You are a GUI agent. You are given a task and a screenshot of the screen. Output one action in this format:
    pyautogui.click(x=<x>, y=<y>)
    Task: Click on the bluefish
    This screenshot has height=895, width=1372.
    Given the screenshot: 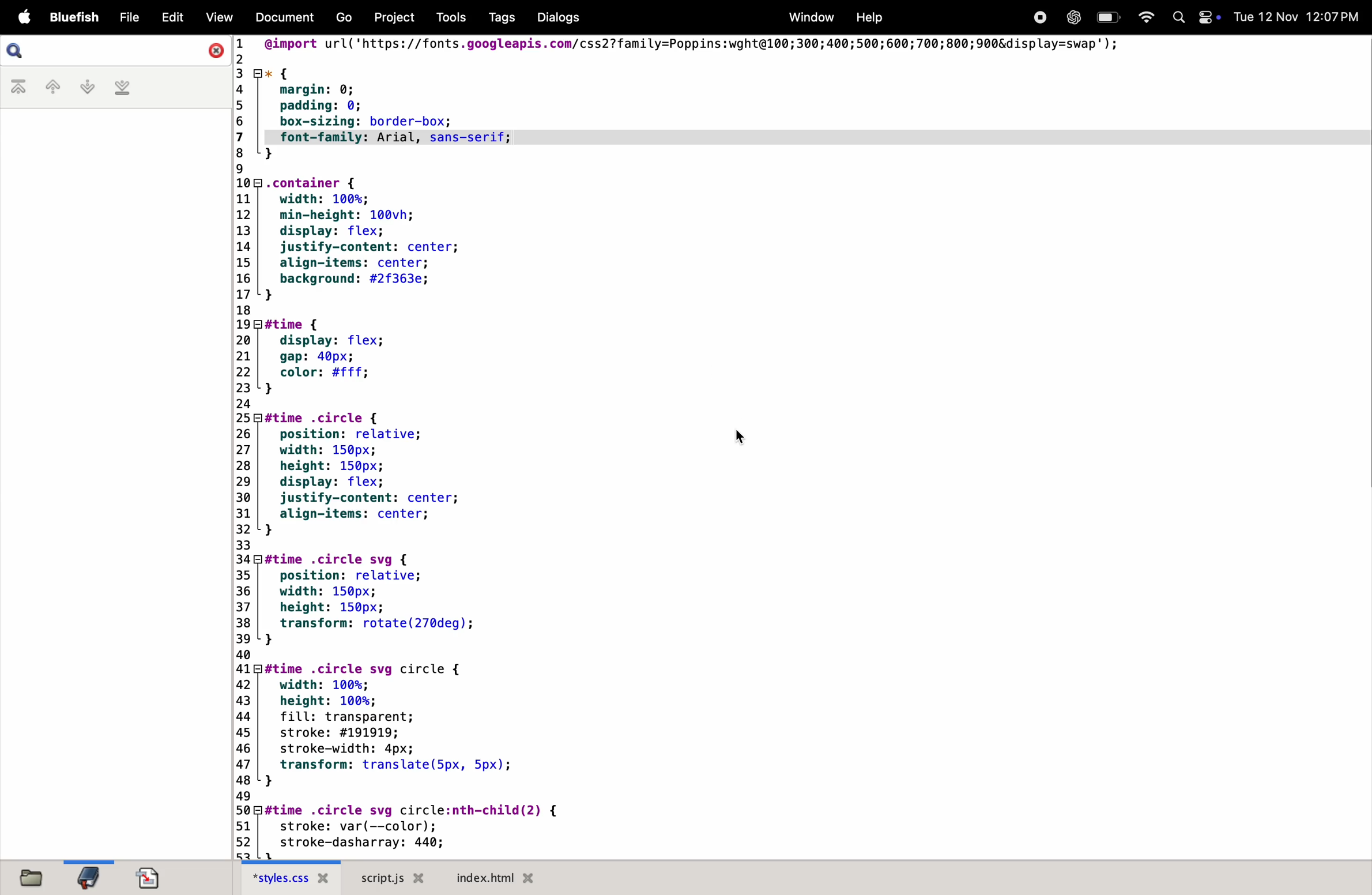 What is the action you would take?
    pyautogui.click(x=77, y=17)
    